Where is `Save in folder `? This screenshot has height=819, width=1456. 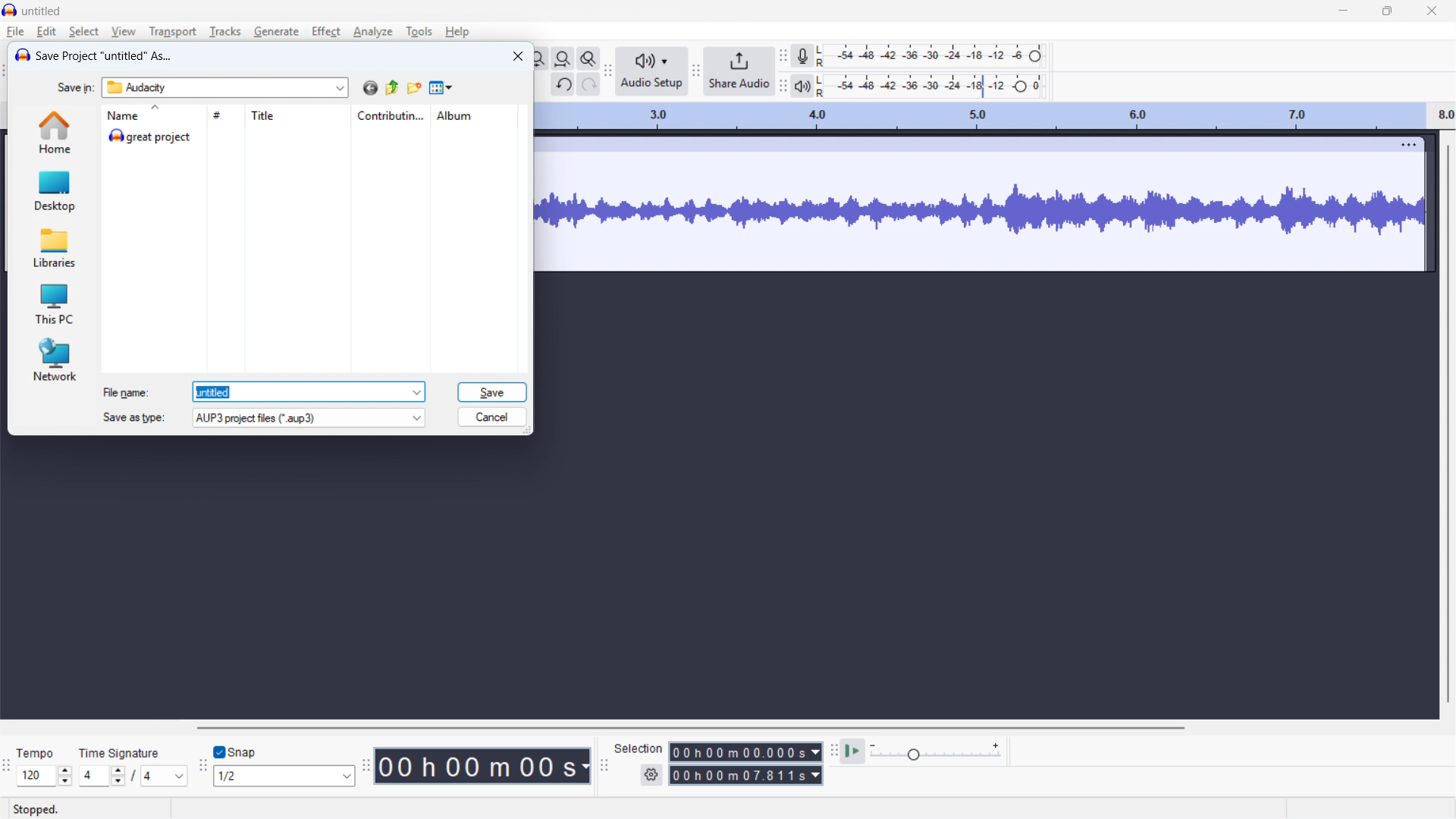
Save in folder  is located at coordinates (225, 88).